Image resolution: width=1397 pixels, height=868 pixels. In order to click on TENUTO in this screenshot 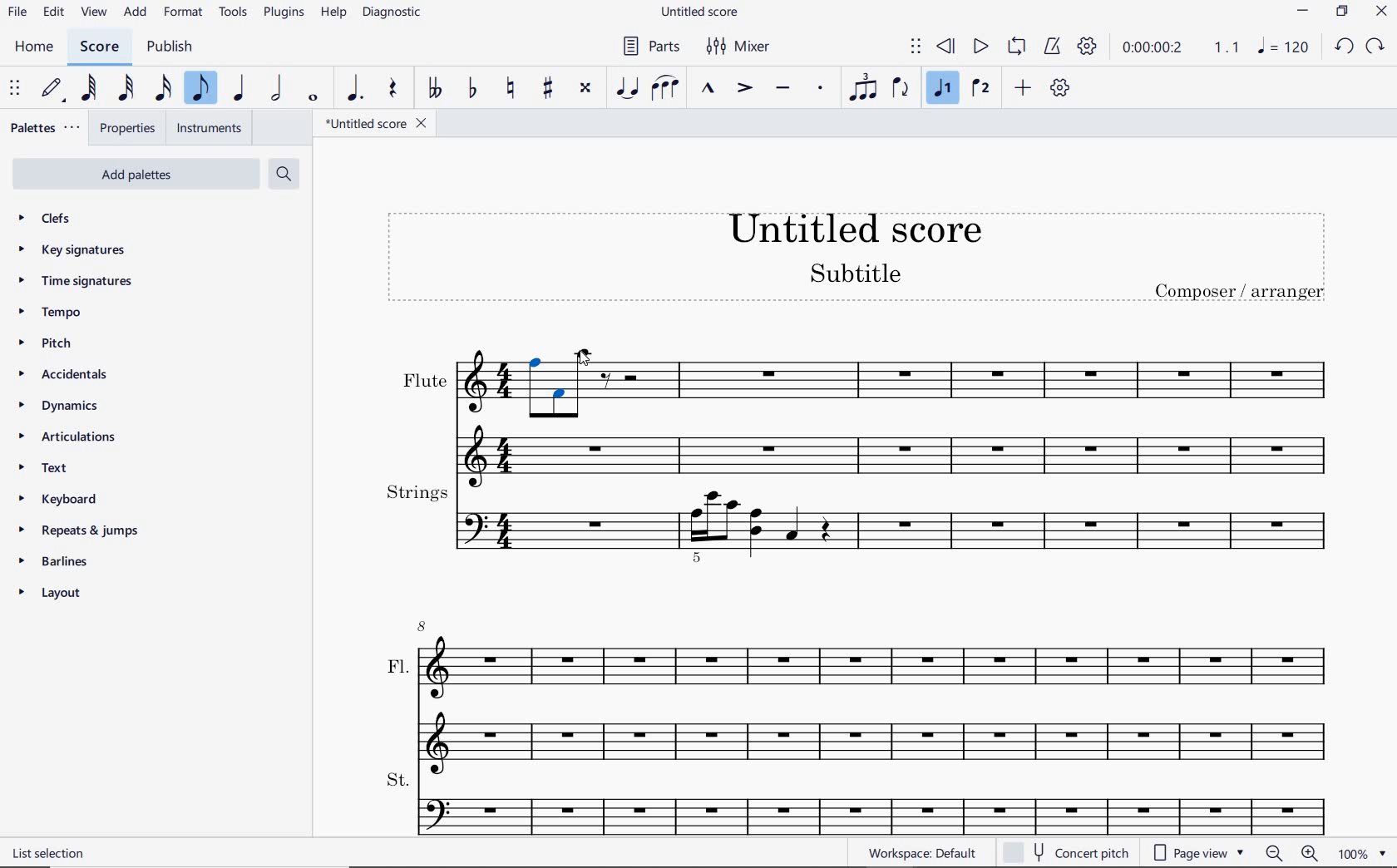, I will do `click(783, 89)`.